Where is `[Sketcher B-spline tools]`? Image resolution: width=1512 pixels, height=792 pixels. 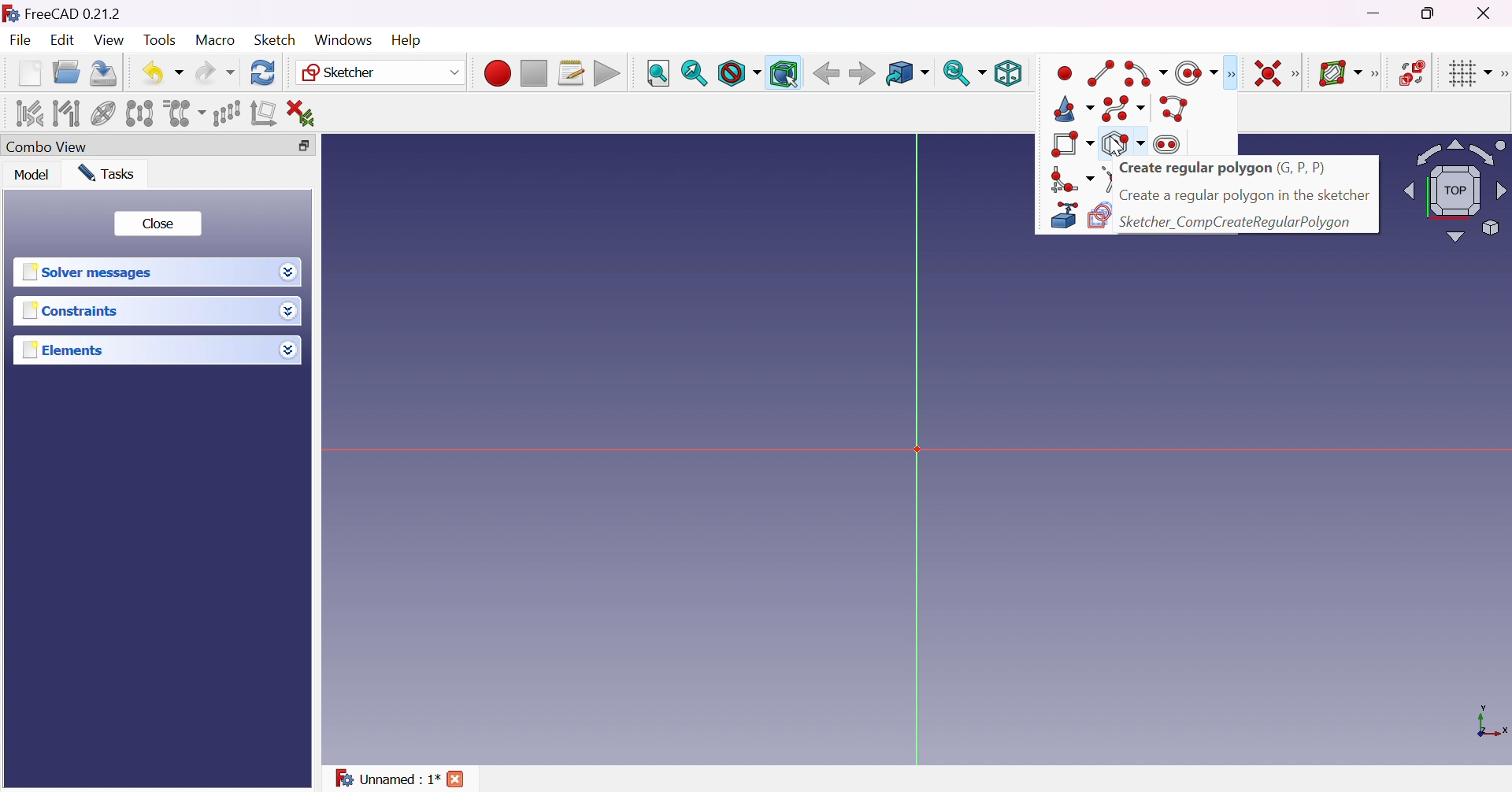
[Sketcher B-spline tools] is located at coordinates (1373, 75).